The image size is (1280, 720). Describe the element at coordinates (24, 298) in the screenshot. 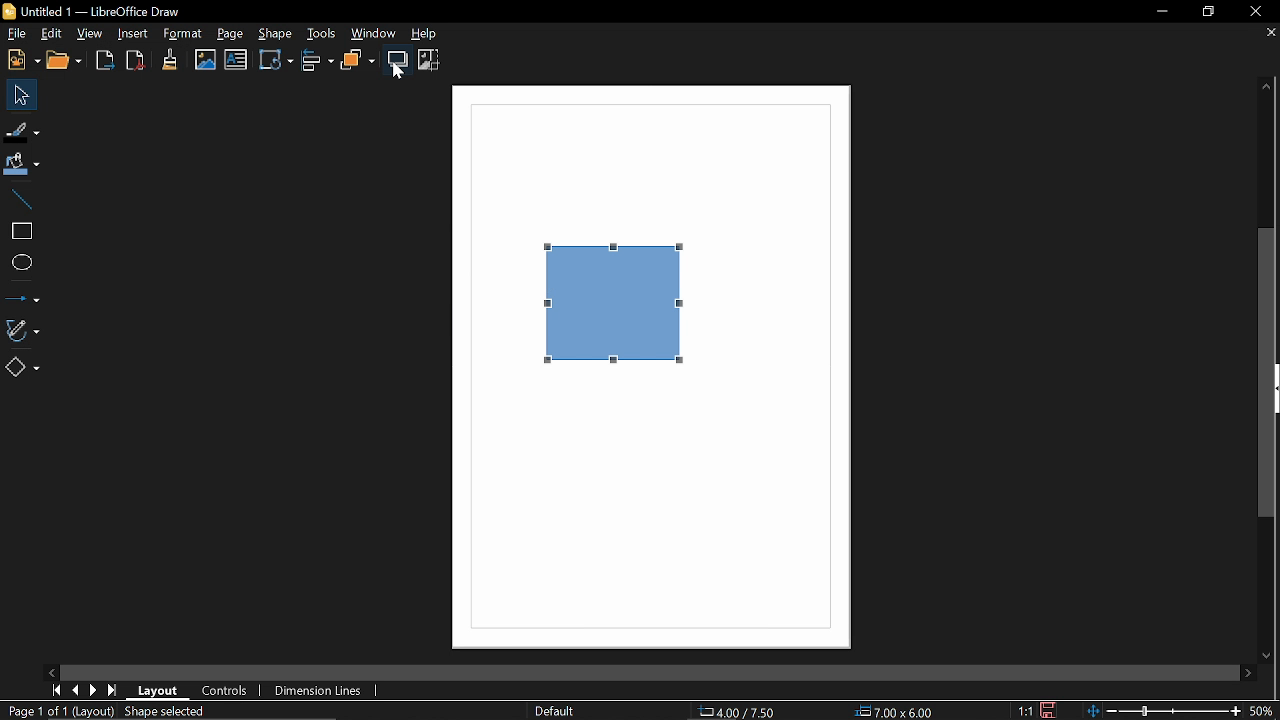

I see `Lines and arrows` at that location.